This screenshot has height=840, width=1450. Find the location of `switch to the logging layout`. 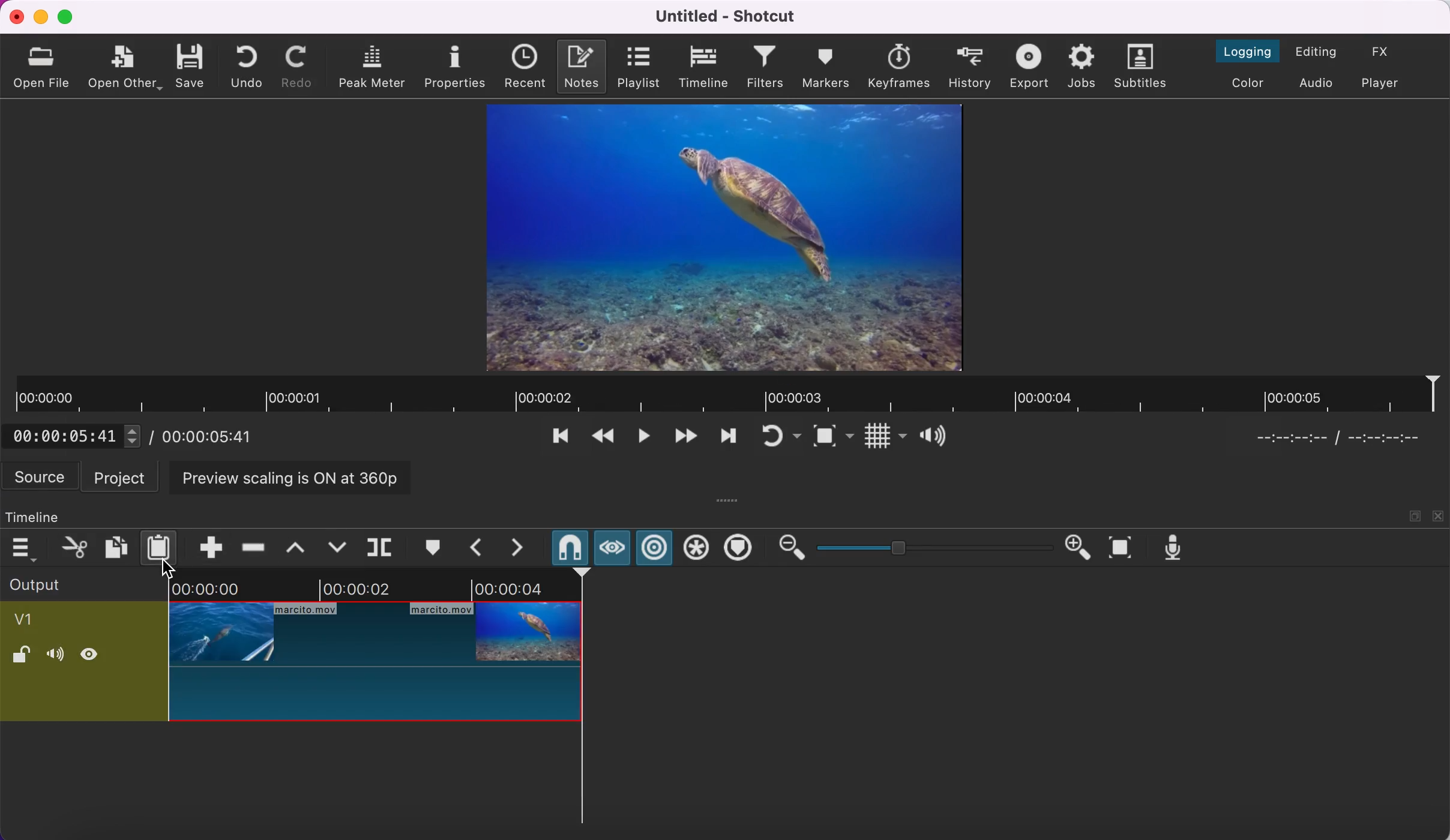

switch to the logging layout is located at coordinates (1251, 51).